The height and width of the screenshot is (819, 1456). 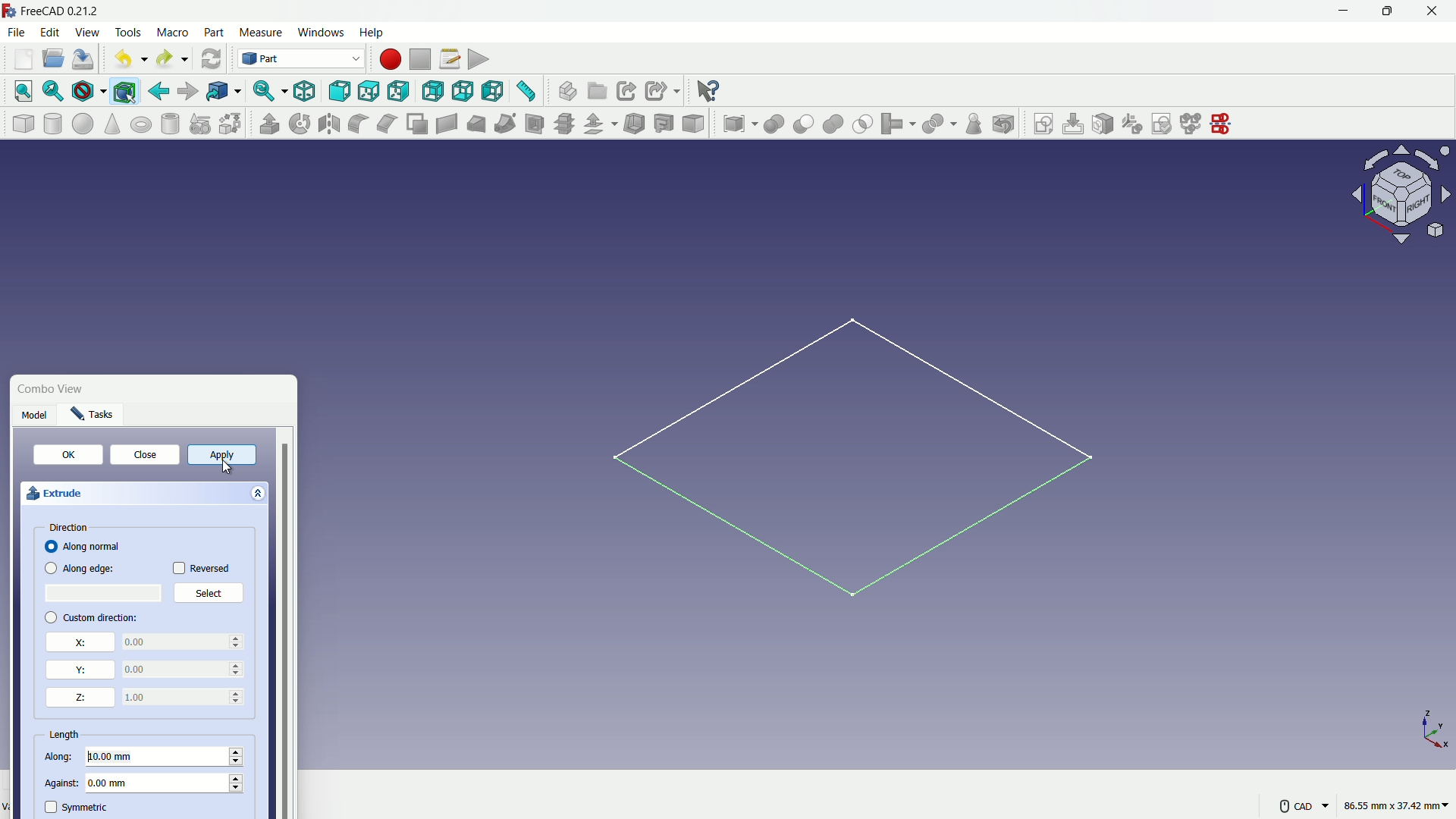 What do you see at coordinates (86, 30) in the screenshot?
I see `view` at bounding box center [86, 30].